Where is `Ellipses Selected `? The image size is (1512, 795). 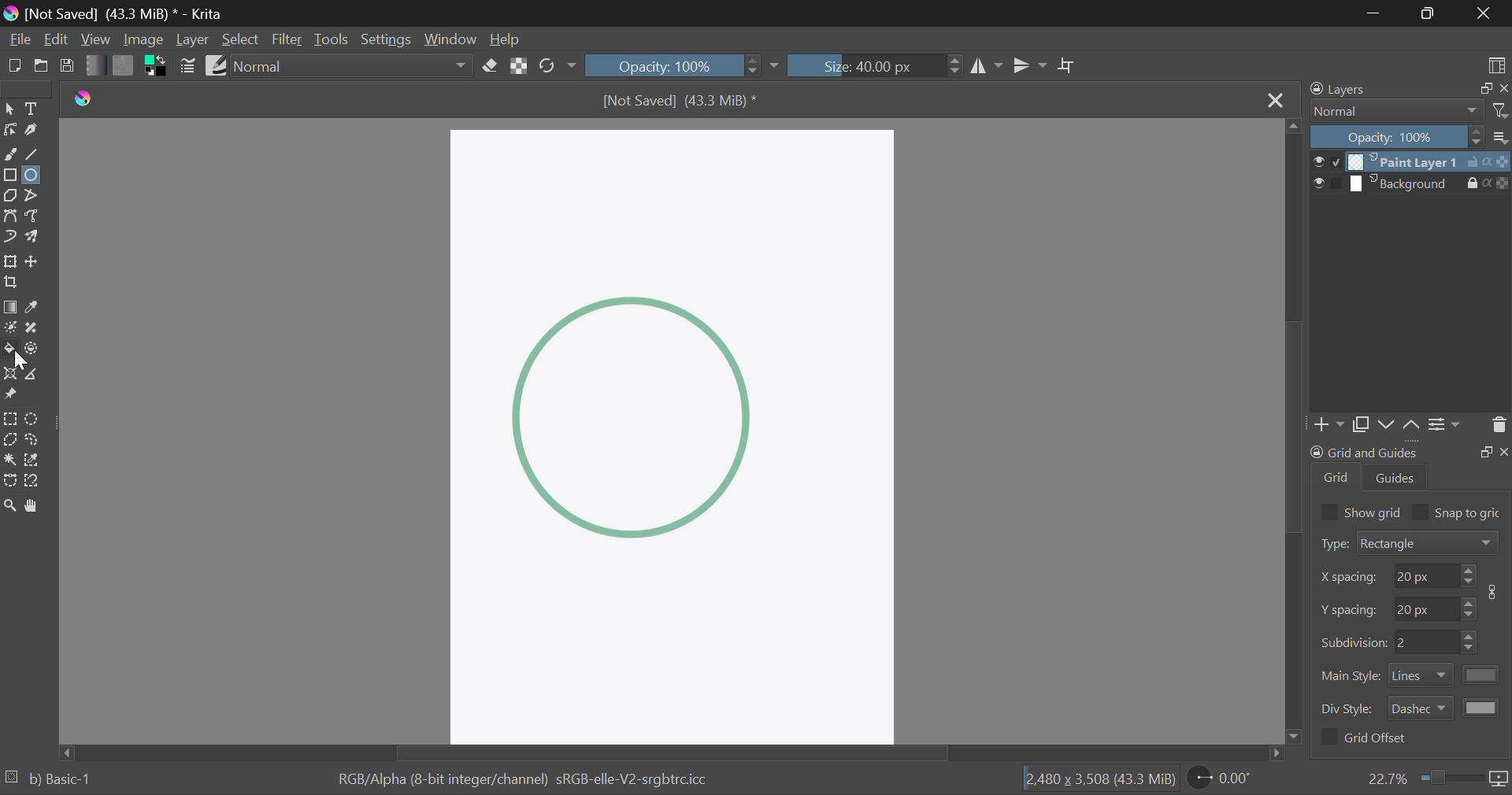 Ellipses Selected  is located at coordinates (31, 175).